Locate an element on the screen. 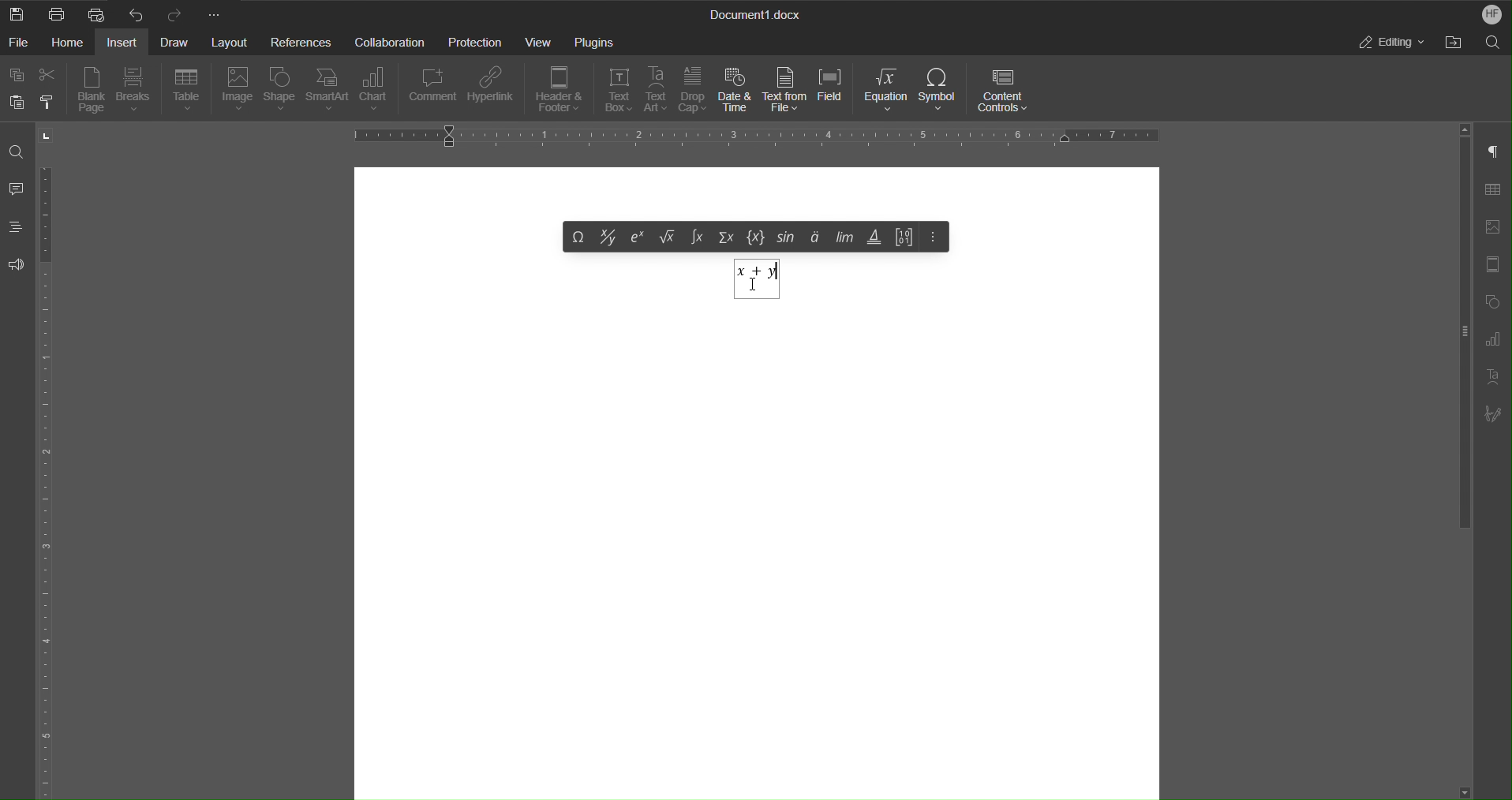 The height and width of the screenshot is (800, 1512). Matrix is located at coordinates (903, 237).